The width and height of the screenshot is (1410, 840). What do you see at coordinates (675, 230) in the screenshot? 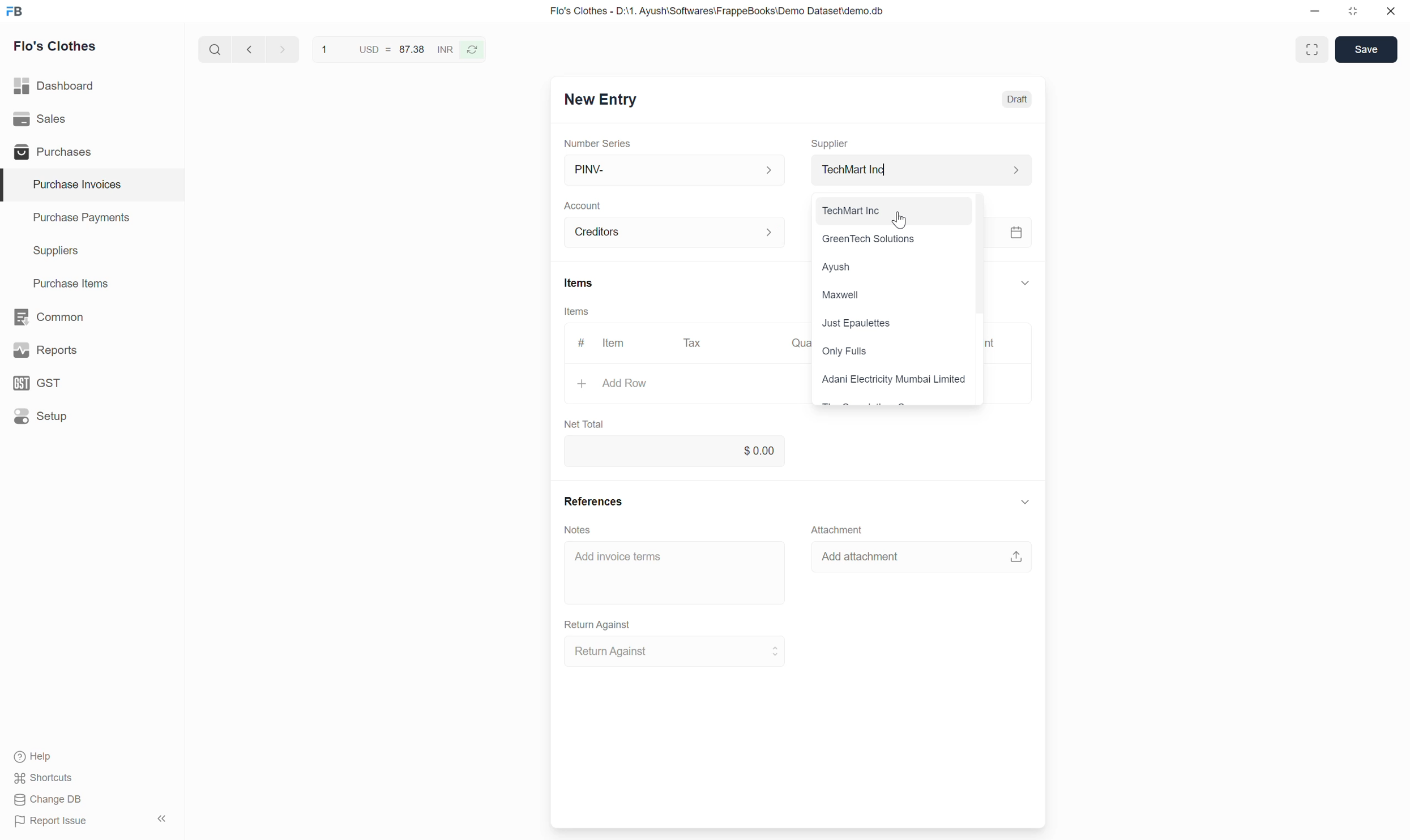
I see `Account ` at bounding box center [675, 230].